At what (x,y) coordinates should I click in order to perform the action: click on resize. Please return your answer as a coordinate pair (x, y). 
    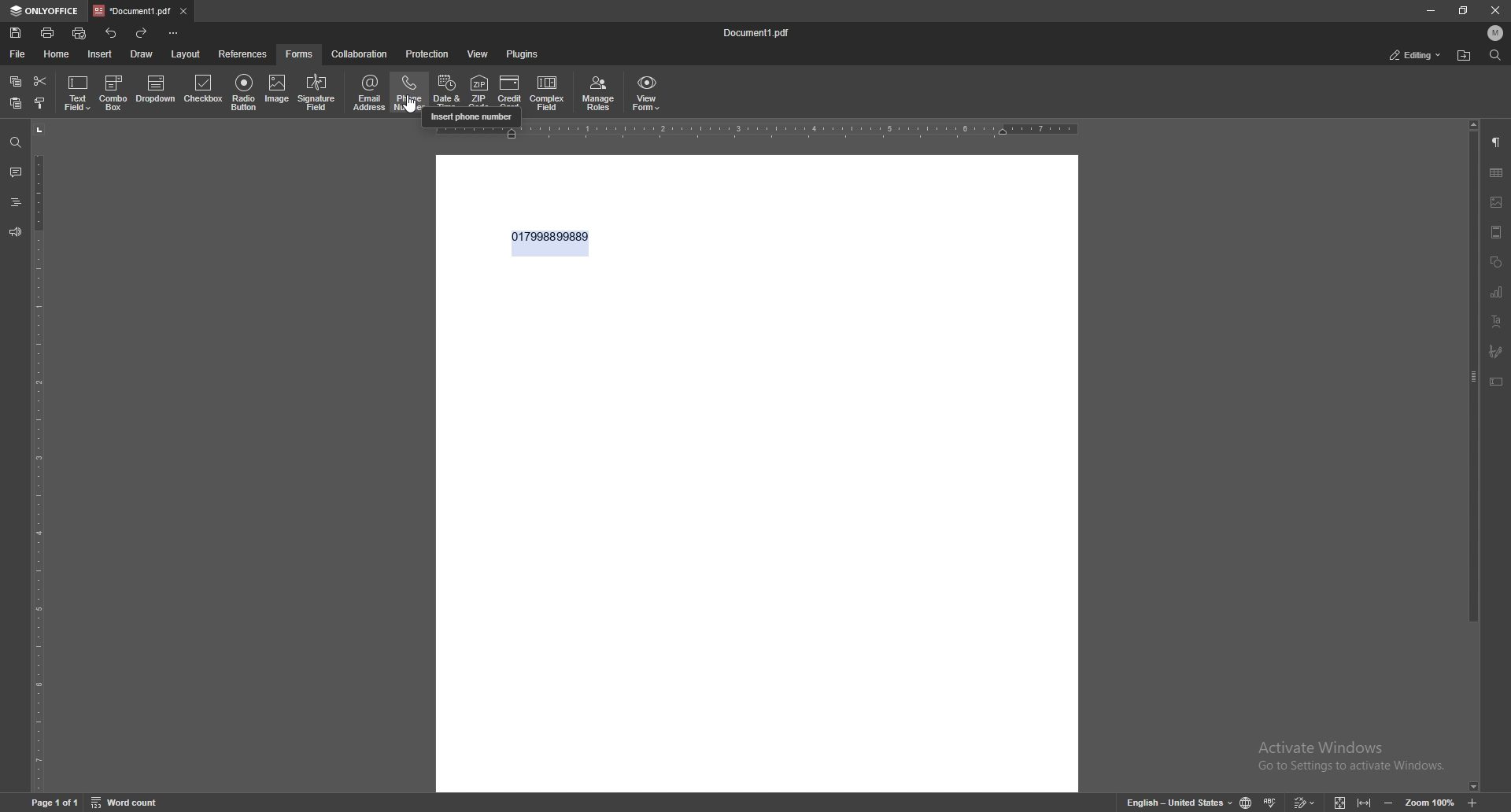
    Looking at the image, I should click on (1465, 11).